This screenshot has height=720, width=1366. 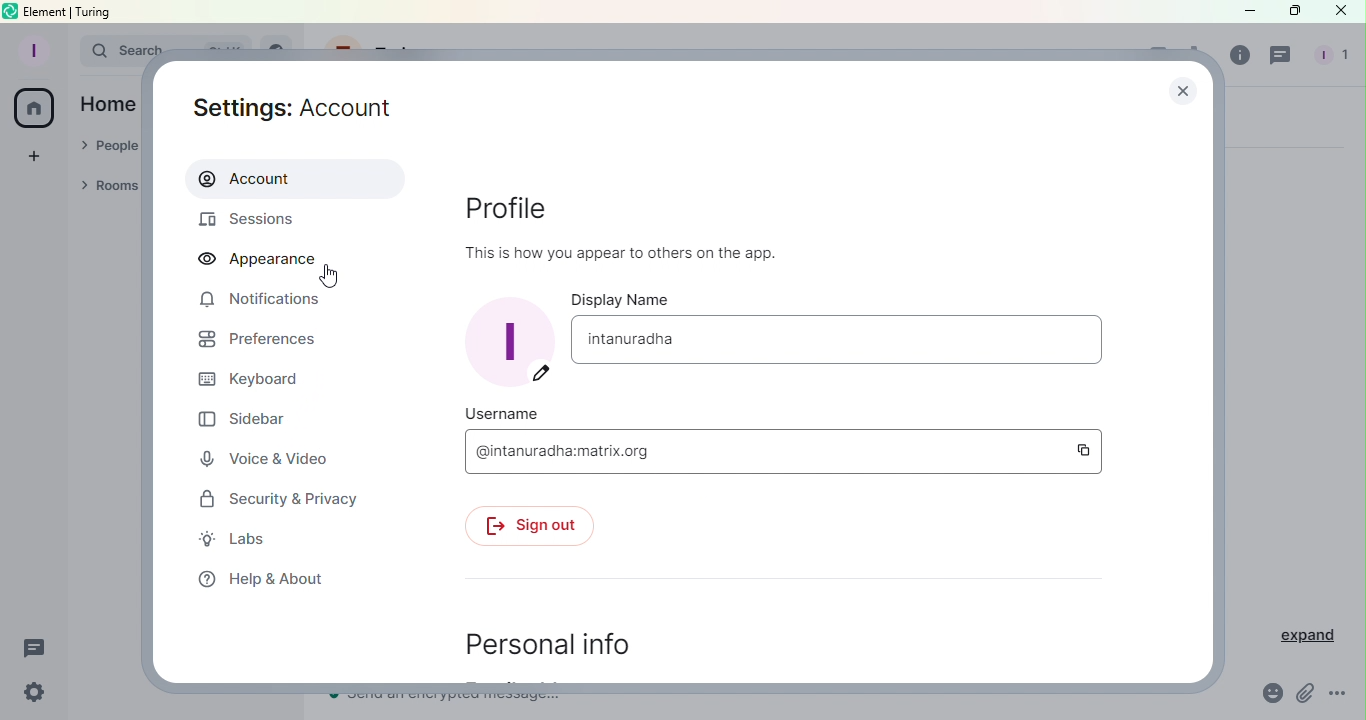 What do you see at coordinates (314, 104) in the screenshot?
I see `Settings: Account` at bounding box center [314, 104].